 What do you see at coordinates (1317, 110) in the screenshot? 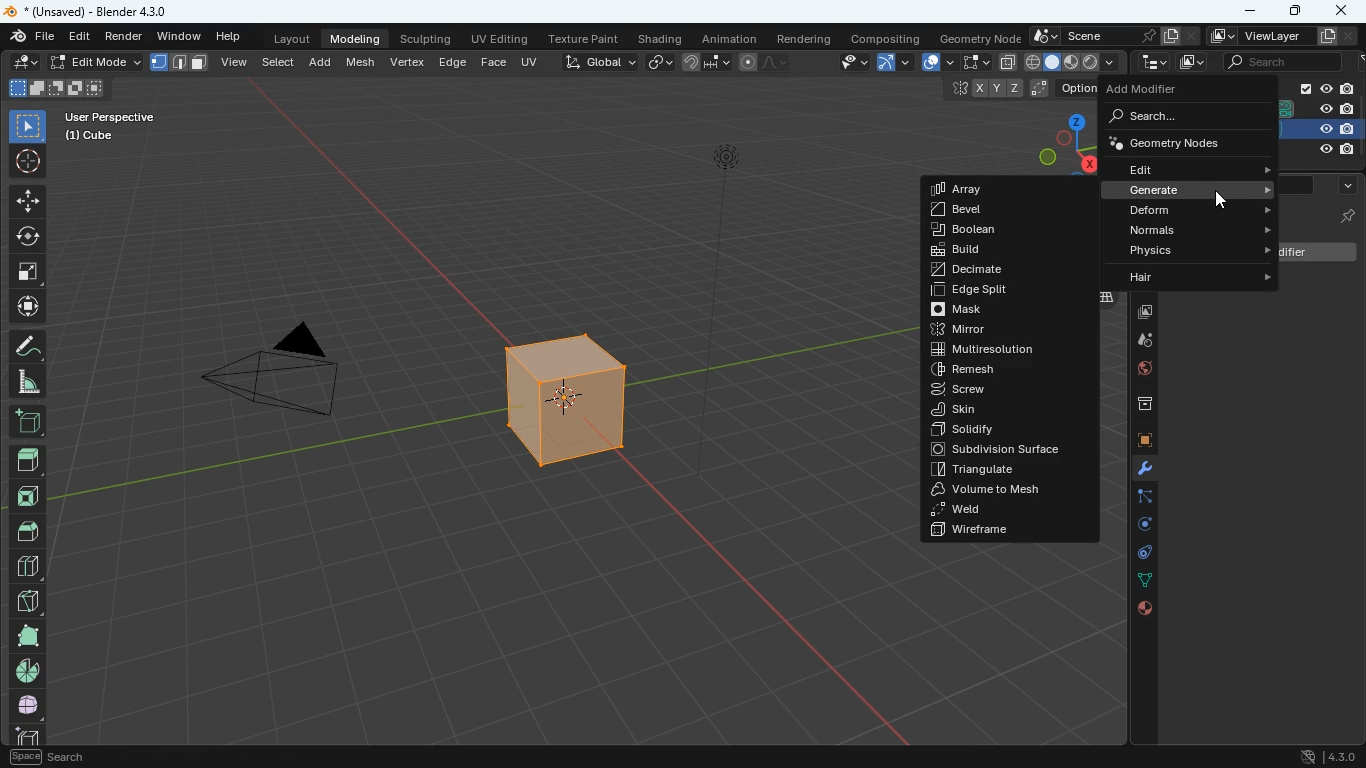
I see `camera` at bounding box center [1317, 110].